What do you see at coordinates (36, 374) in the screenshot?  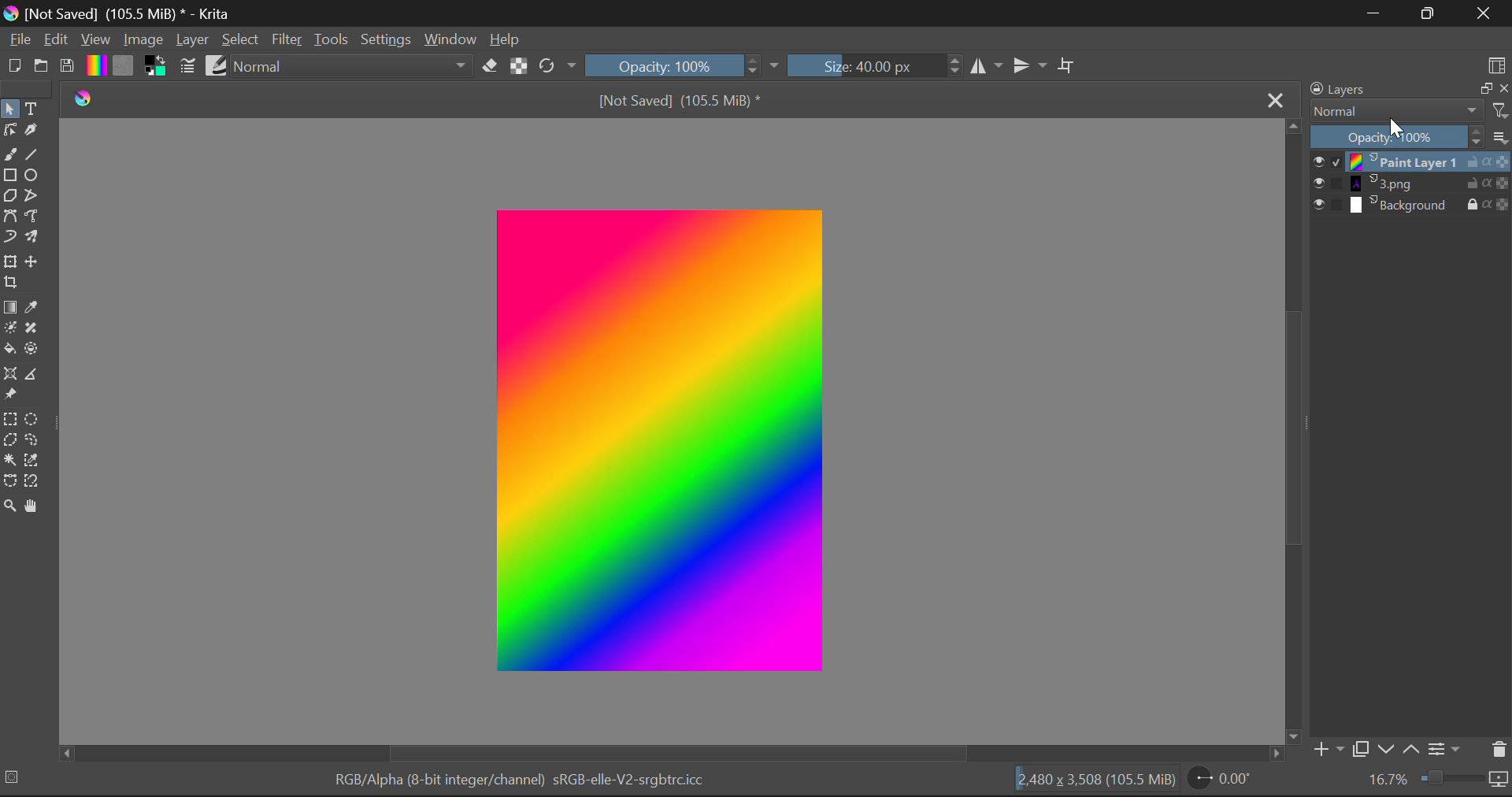 I see `Measurements` at bounding box center [36, 374].